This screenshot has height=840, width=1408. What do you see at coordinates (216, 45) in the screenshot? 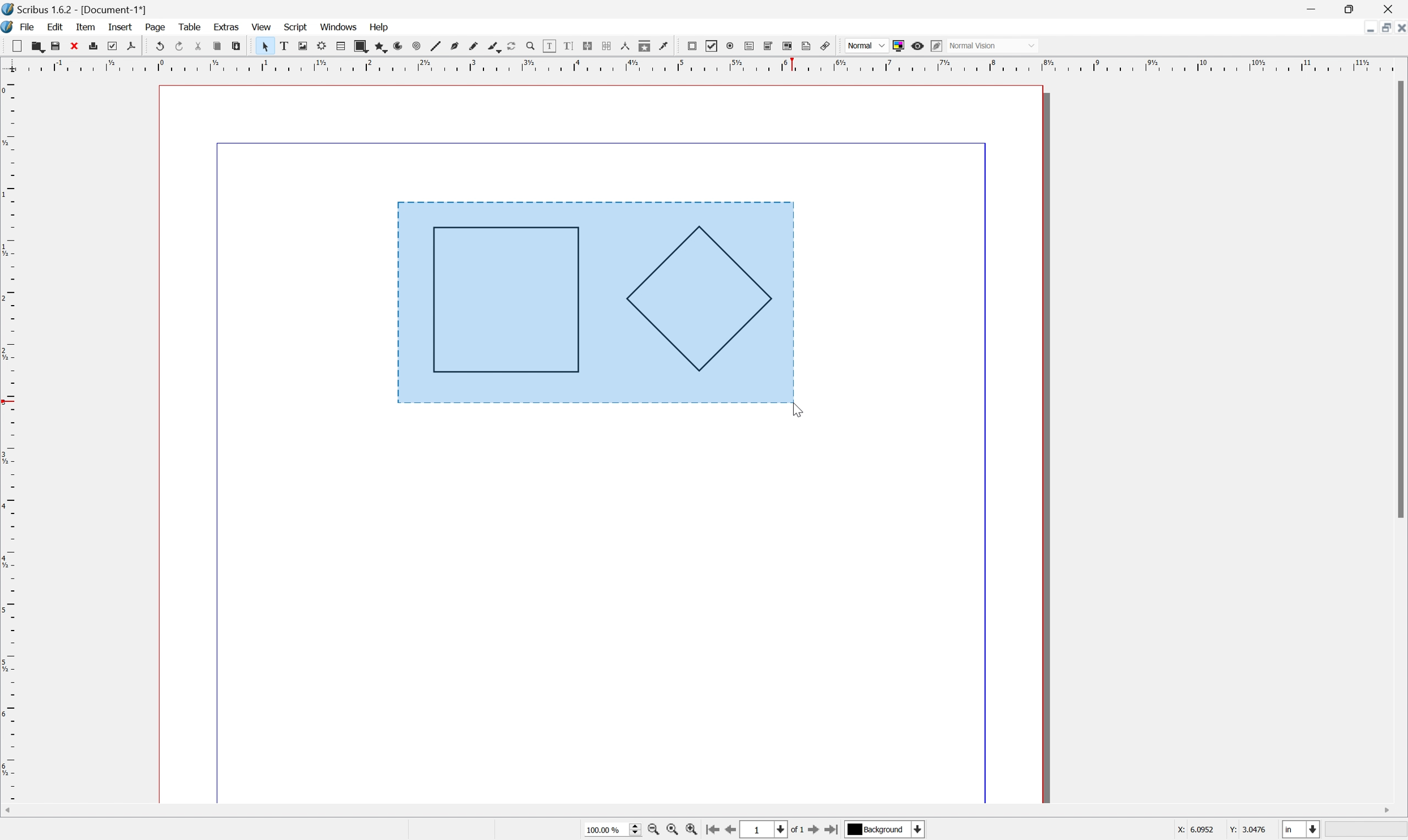
I see `copy` at bounding box center [216, 45].